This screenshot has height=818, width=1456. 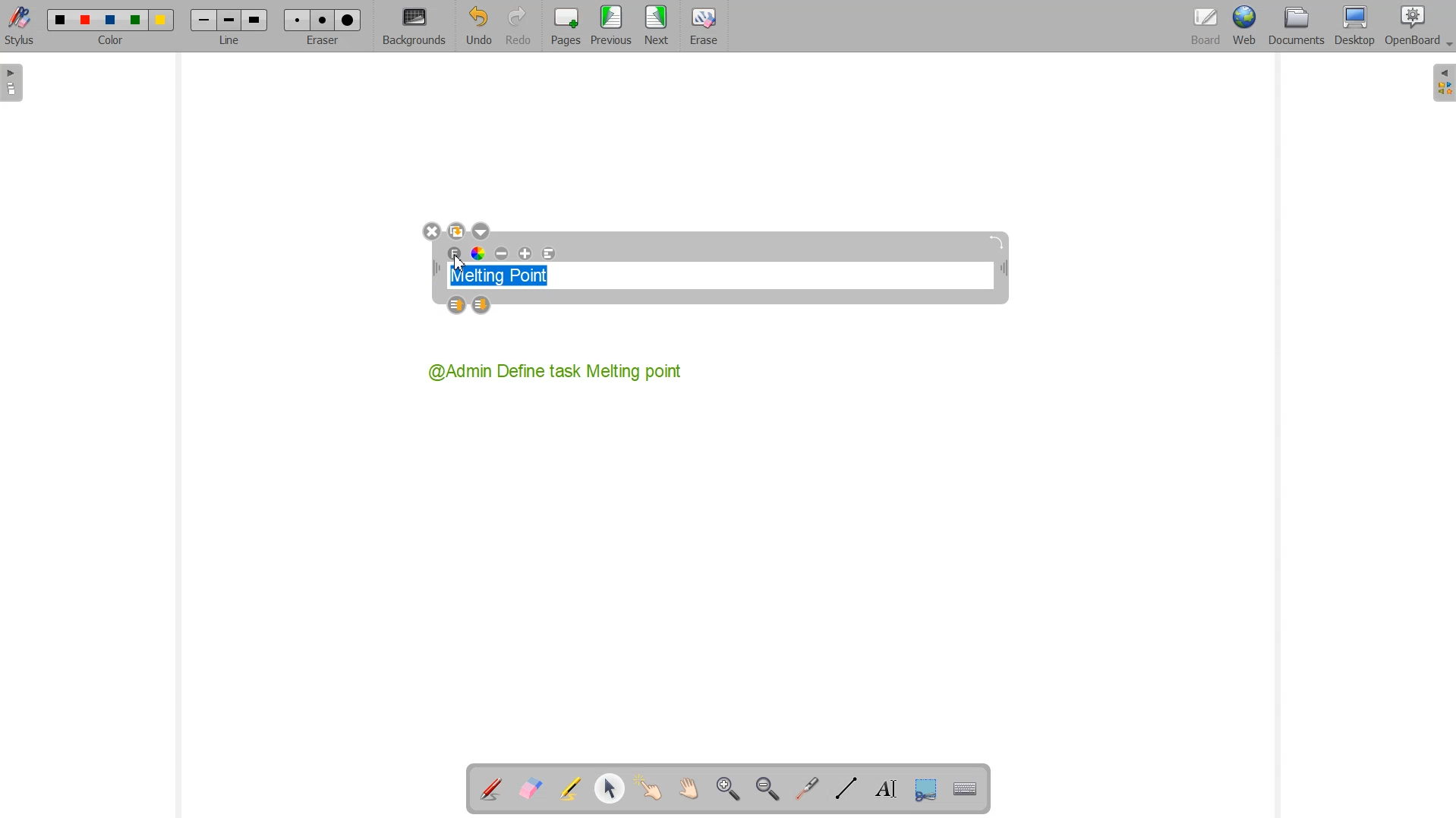 I want to click on Melting Point, so click(x=506, y=272).